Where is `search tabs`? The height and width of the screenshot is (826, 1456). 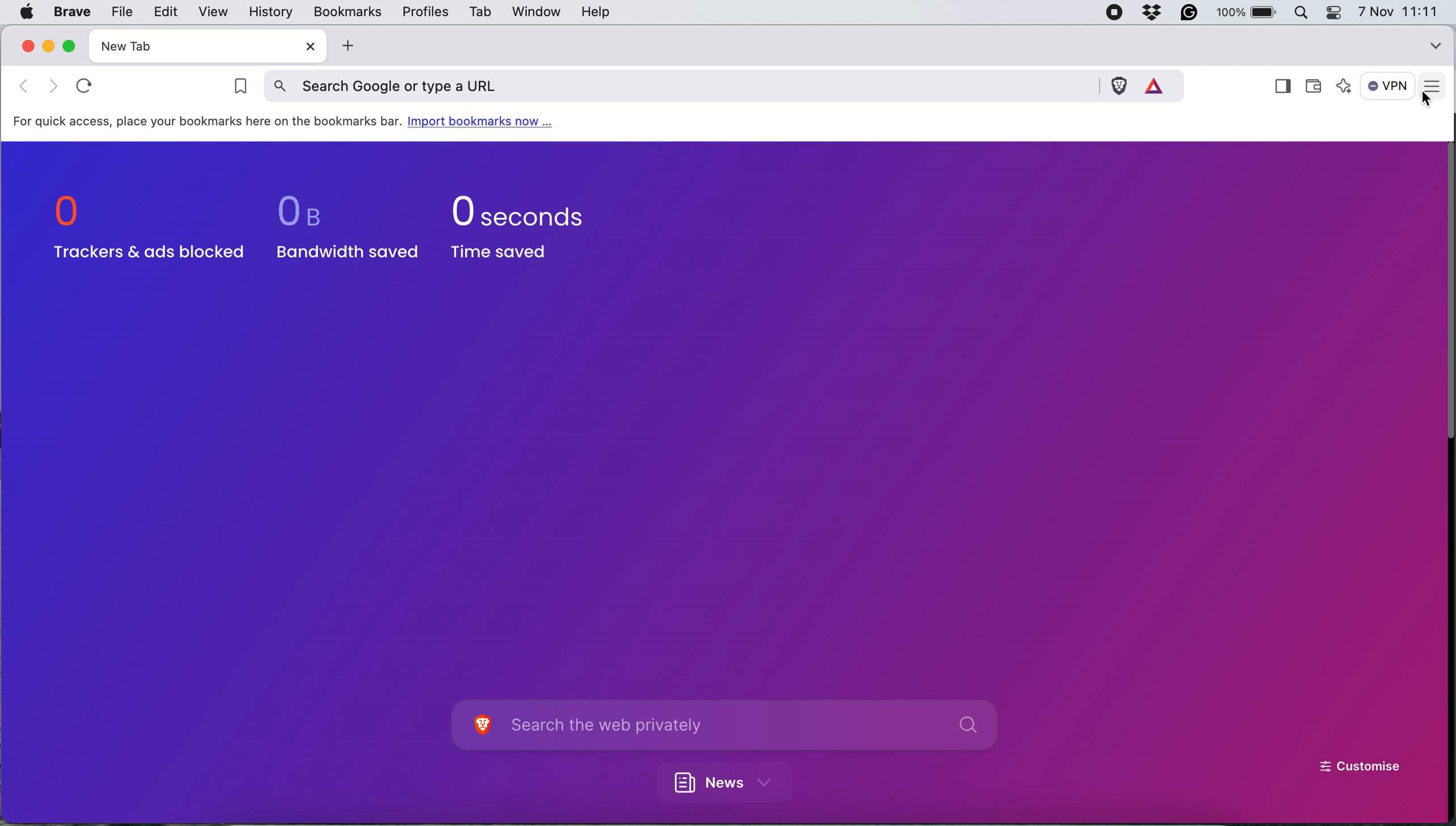
search tabs is located at coordinates (1436, 43).